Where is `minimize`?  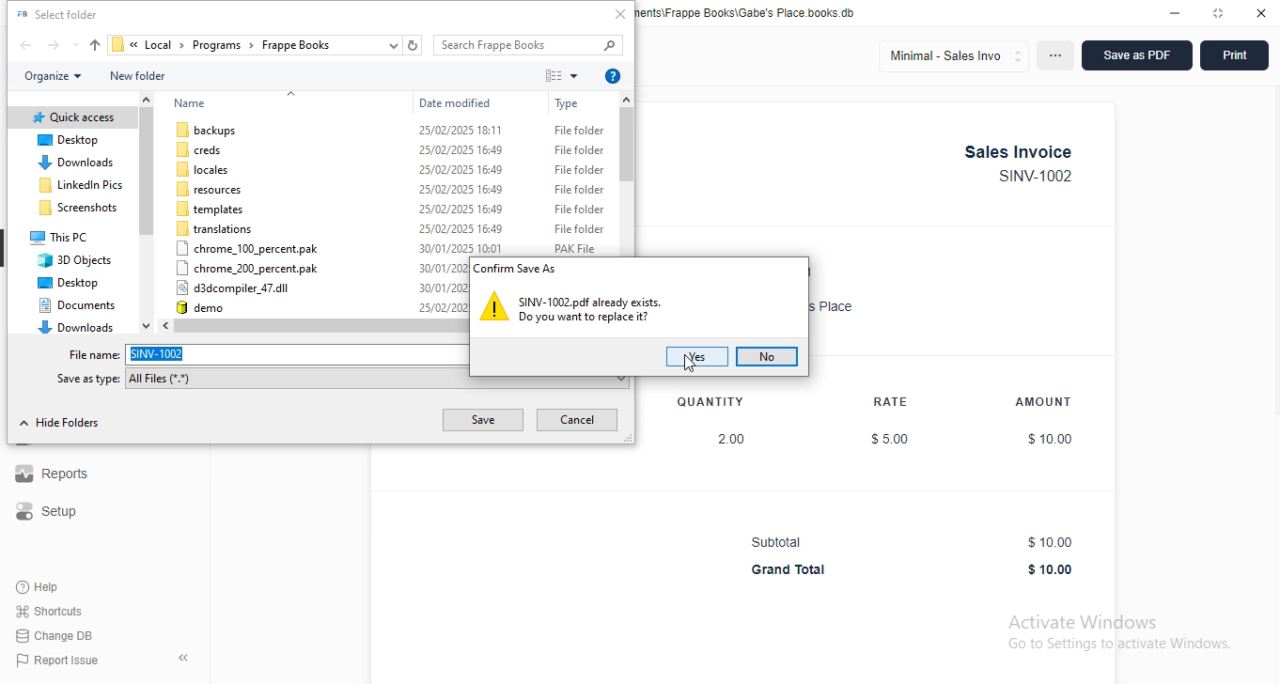
minimize is located at coordinates (1175, 13).